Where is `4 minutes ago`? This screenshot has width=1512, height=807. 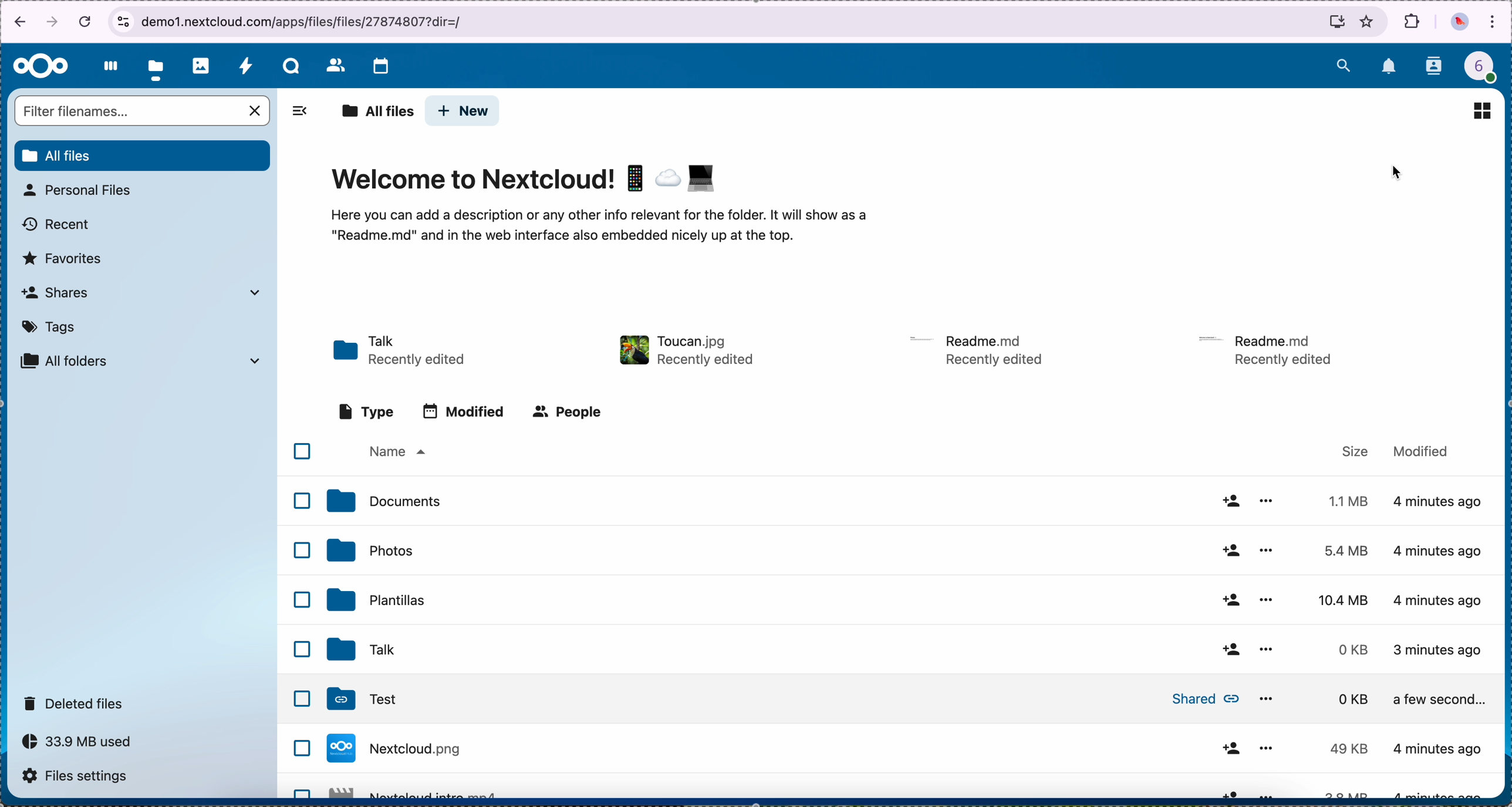
4 minutes ago is located at coordinates (1441, 649).